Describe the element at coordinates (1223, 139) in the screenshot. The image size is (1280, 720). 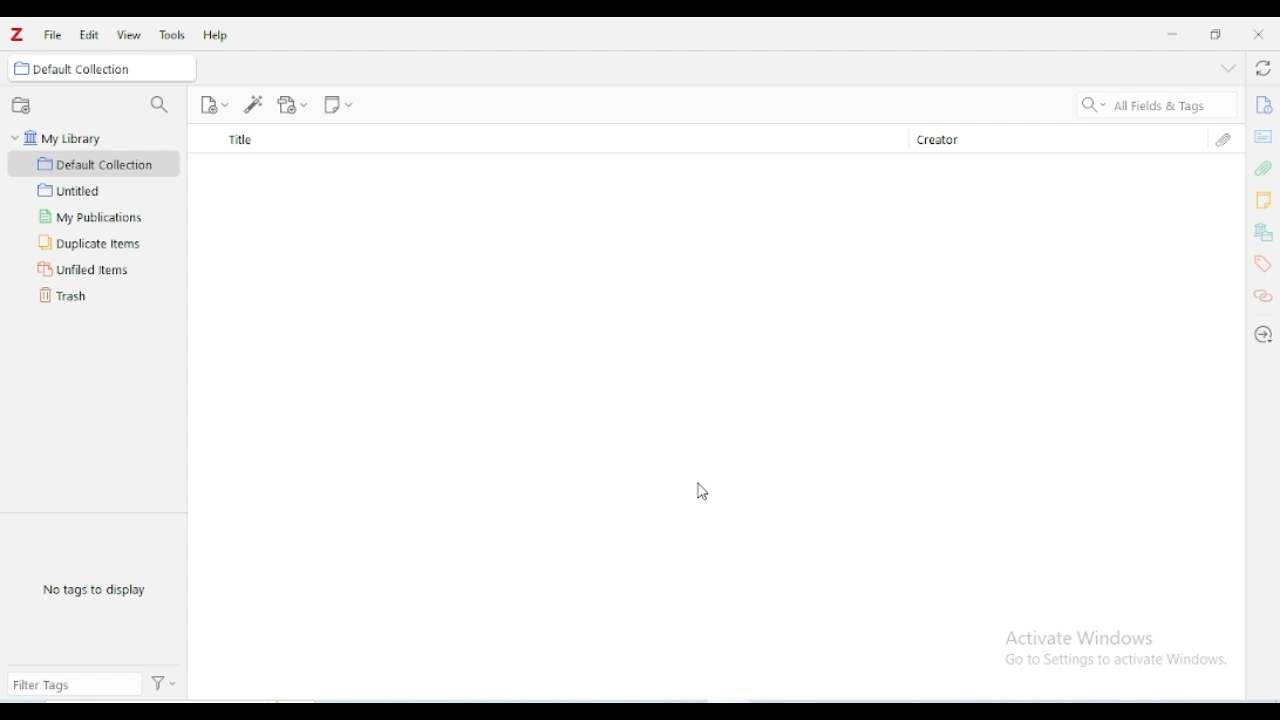
I see `attachments` at that location.